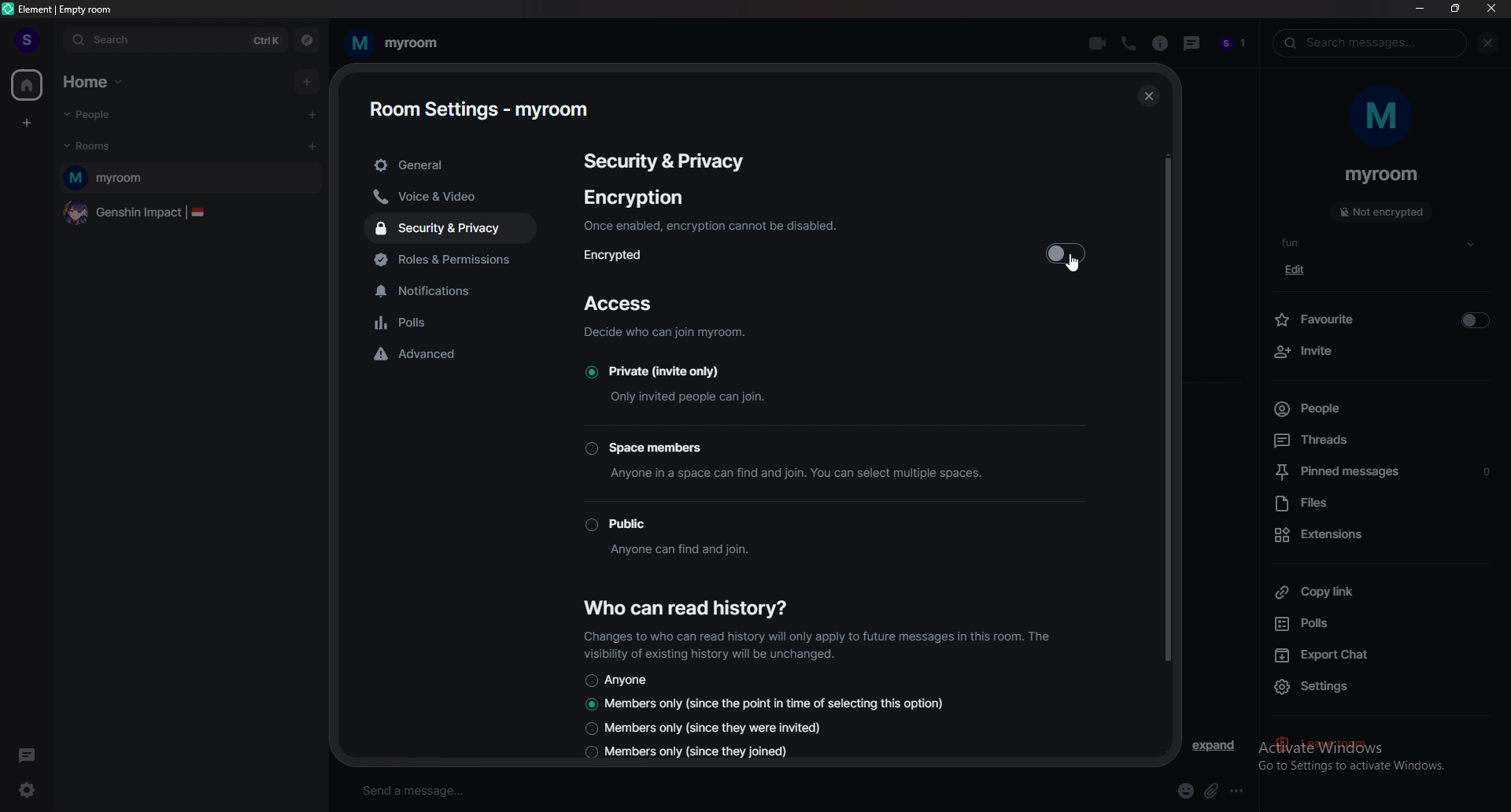  Describe the element at coordinates (188, 215) in the screenshot. I see `genshin impact |` at that location.